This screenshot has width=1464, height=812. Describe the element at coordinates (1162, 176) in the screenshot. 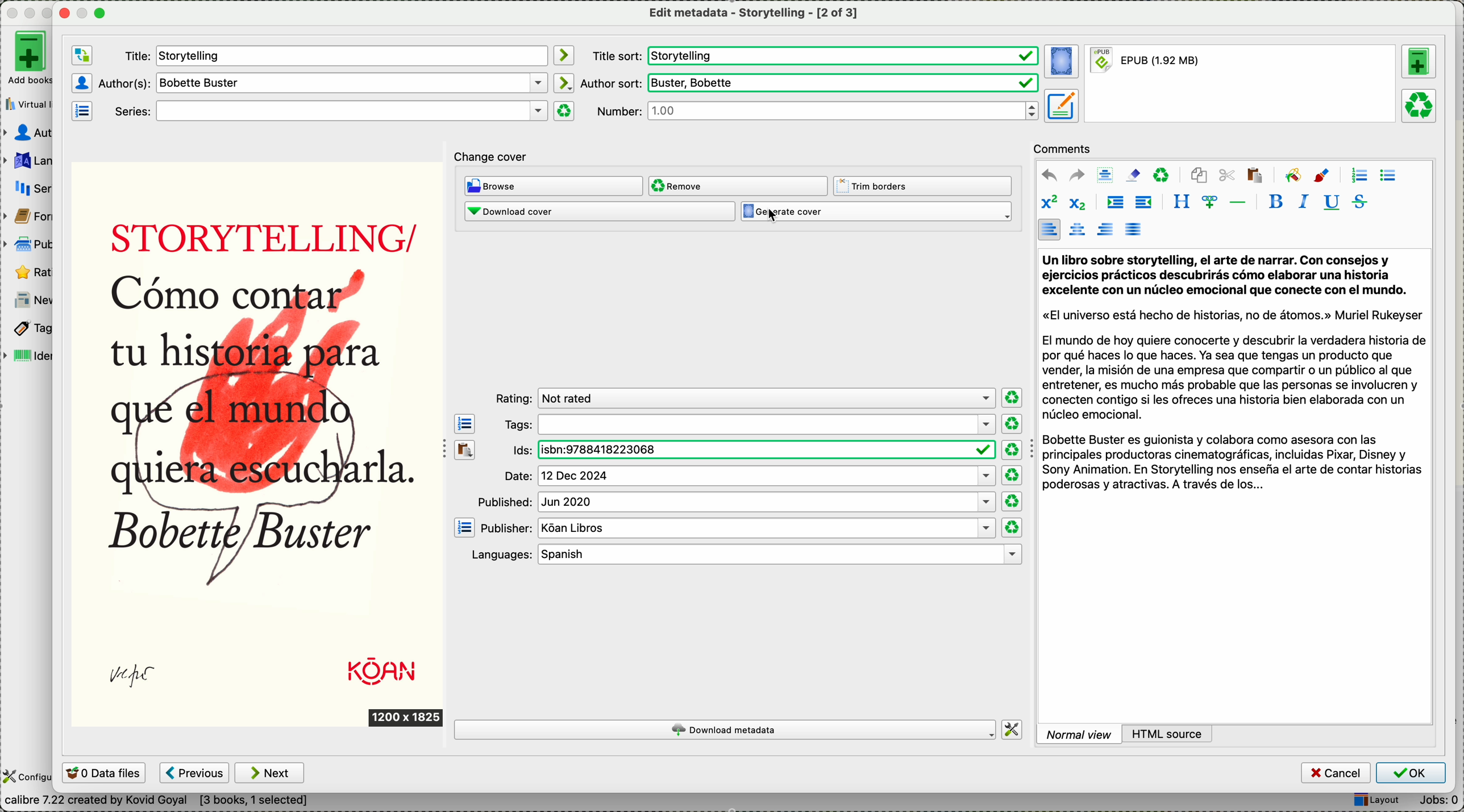

I see `clear` at that location.